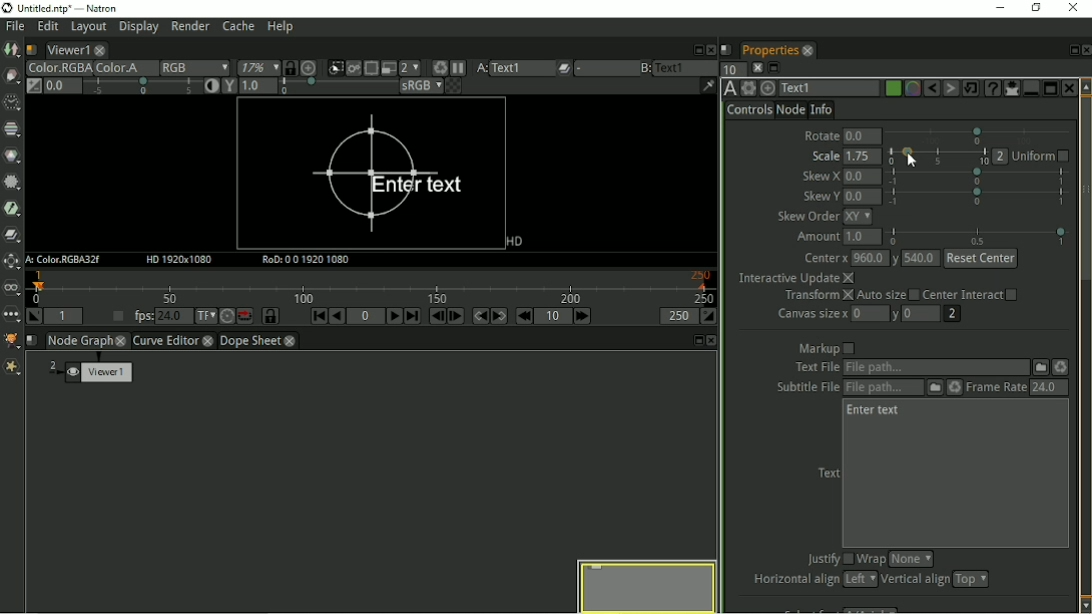 Image resolution: width=1092 pixels, height=614 pixels. What do you see at coordinates (914, 161) in the screenshot?
I see `cursor` at bounding box center [914, 161].